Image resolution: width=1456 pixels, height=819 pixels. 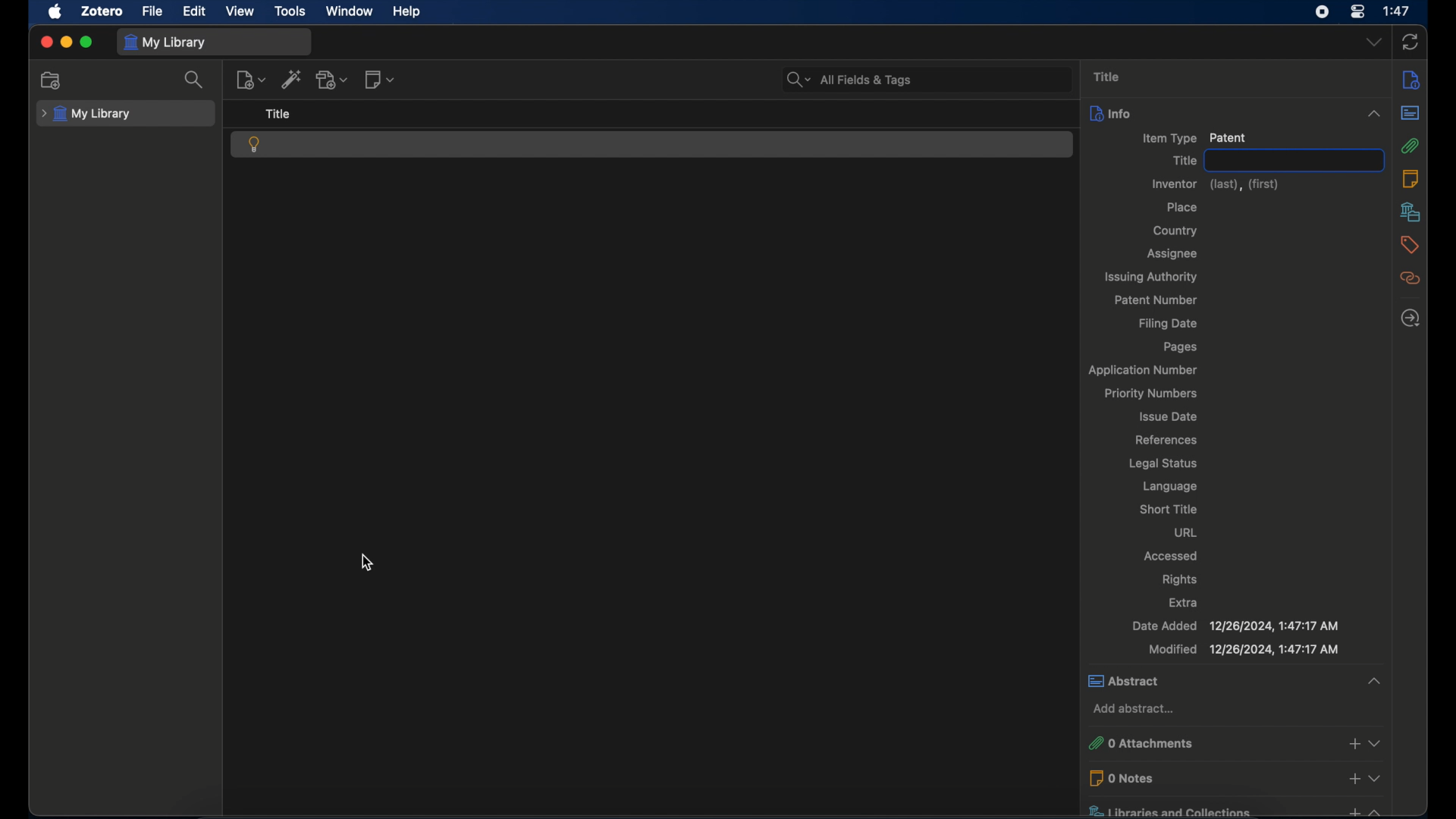 What do you see at coordinates (1141, 372) in the screenshot?
I see `application number` at bounding box center [1141, 372].